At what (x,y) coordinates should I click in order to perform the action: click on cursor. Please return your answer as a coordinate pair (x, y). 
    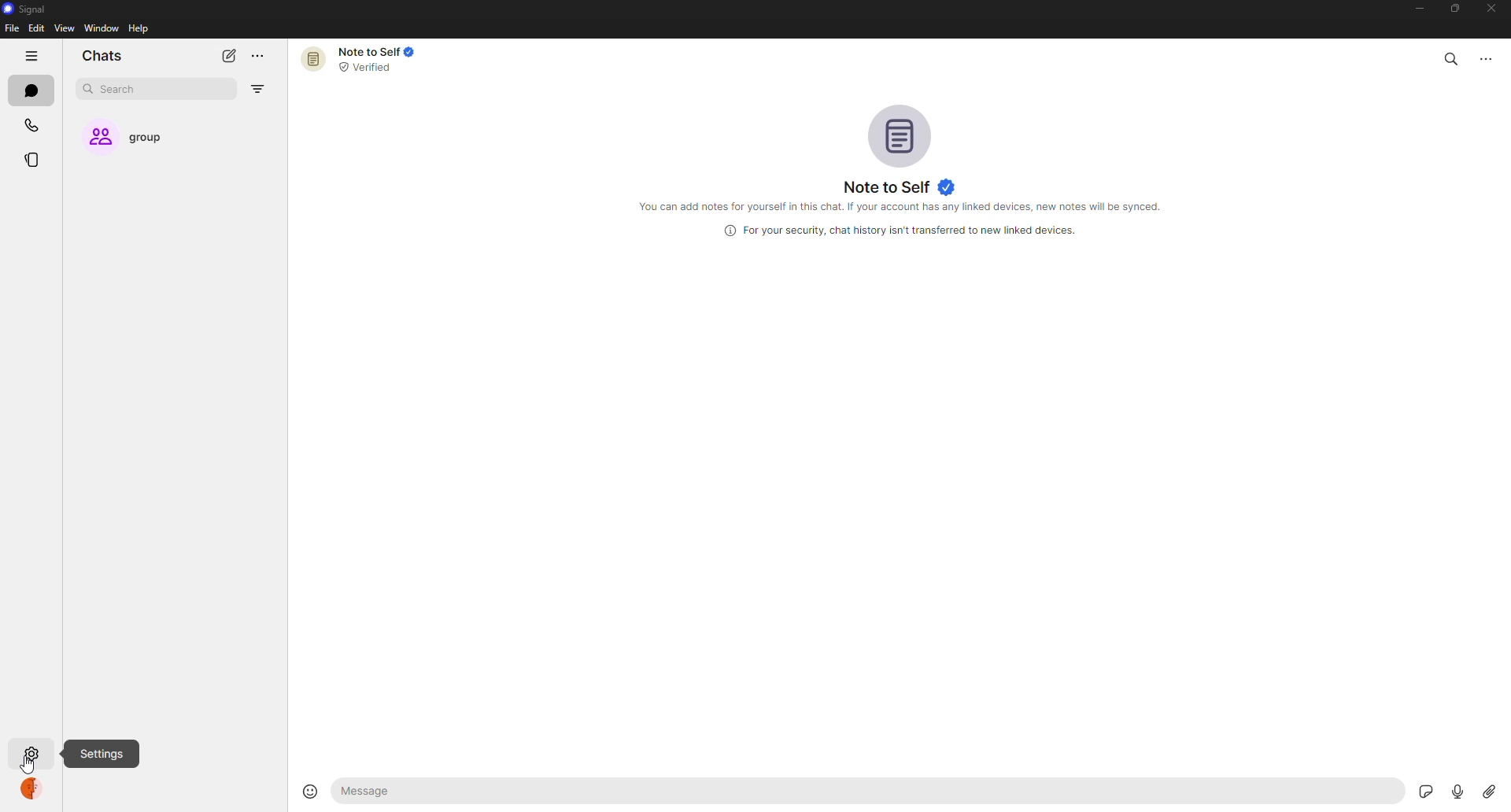
    Looking at the image, I should click on (27, 767).